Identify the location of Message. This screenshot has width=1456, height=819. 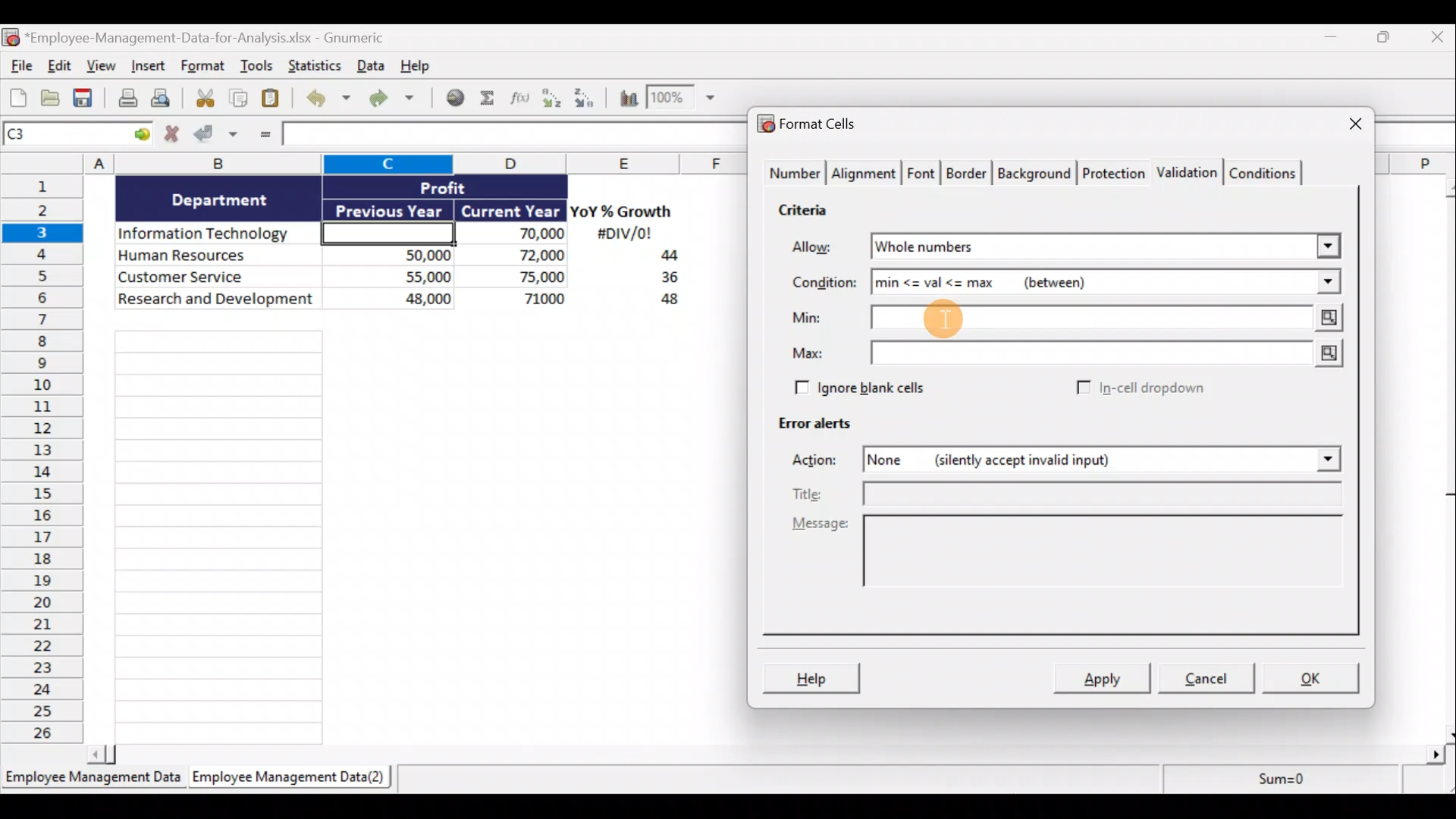
(1064, 563).